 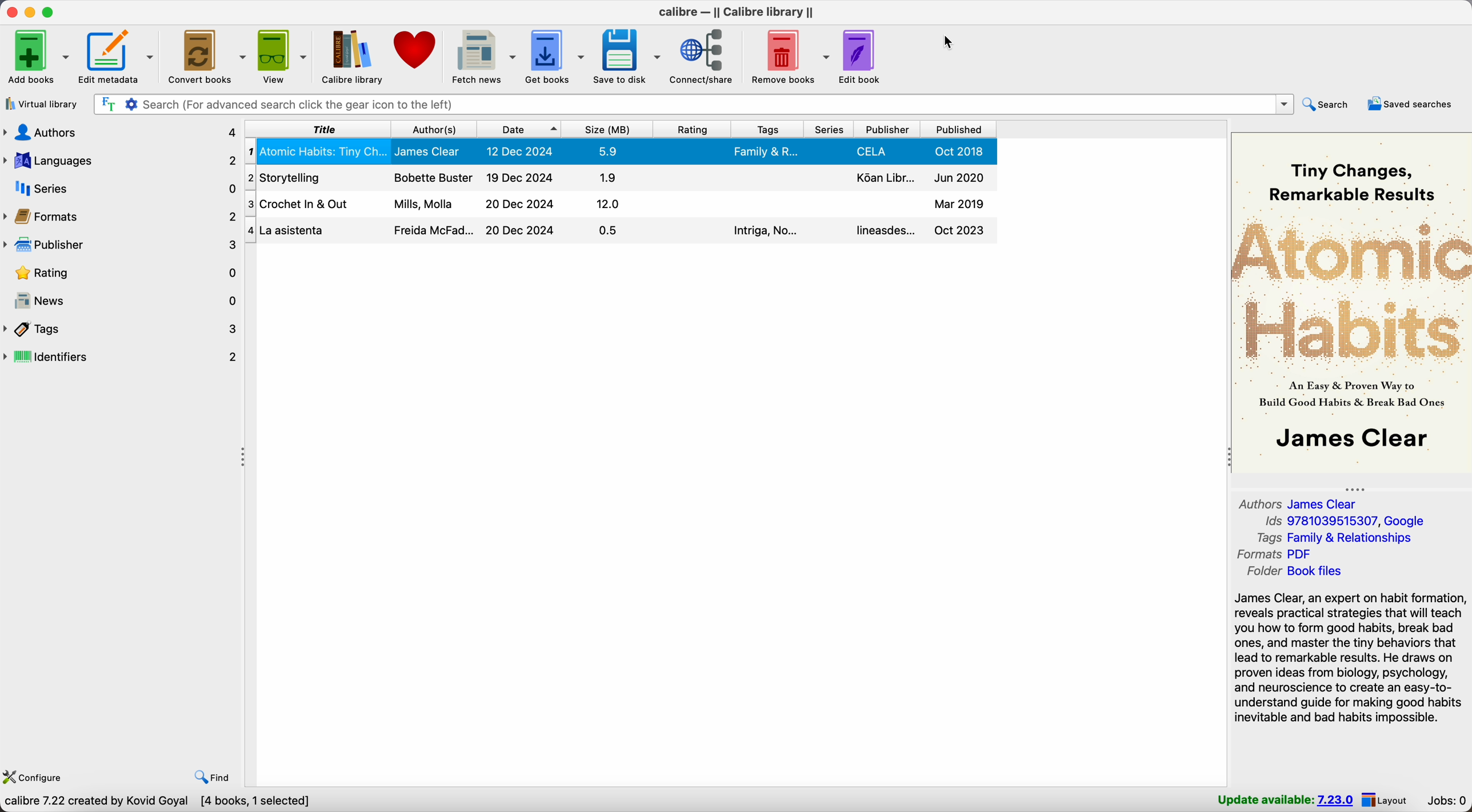 I want to click on close program, so click(x=10, y=12).